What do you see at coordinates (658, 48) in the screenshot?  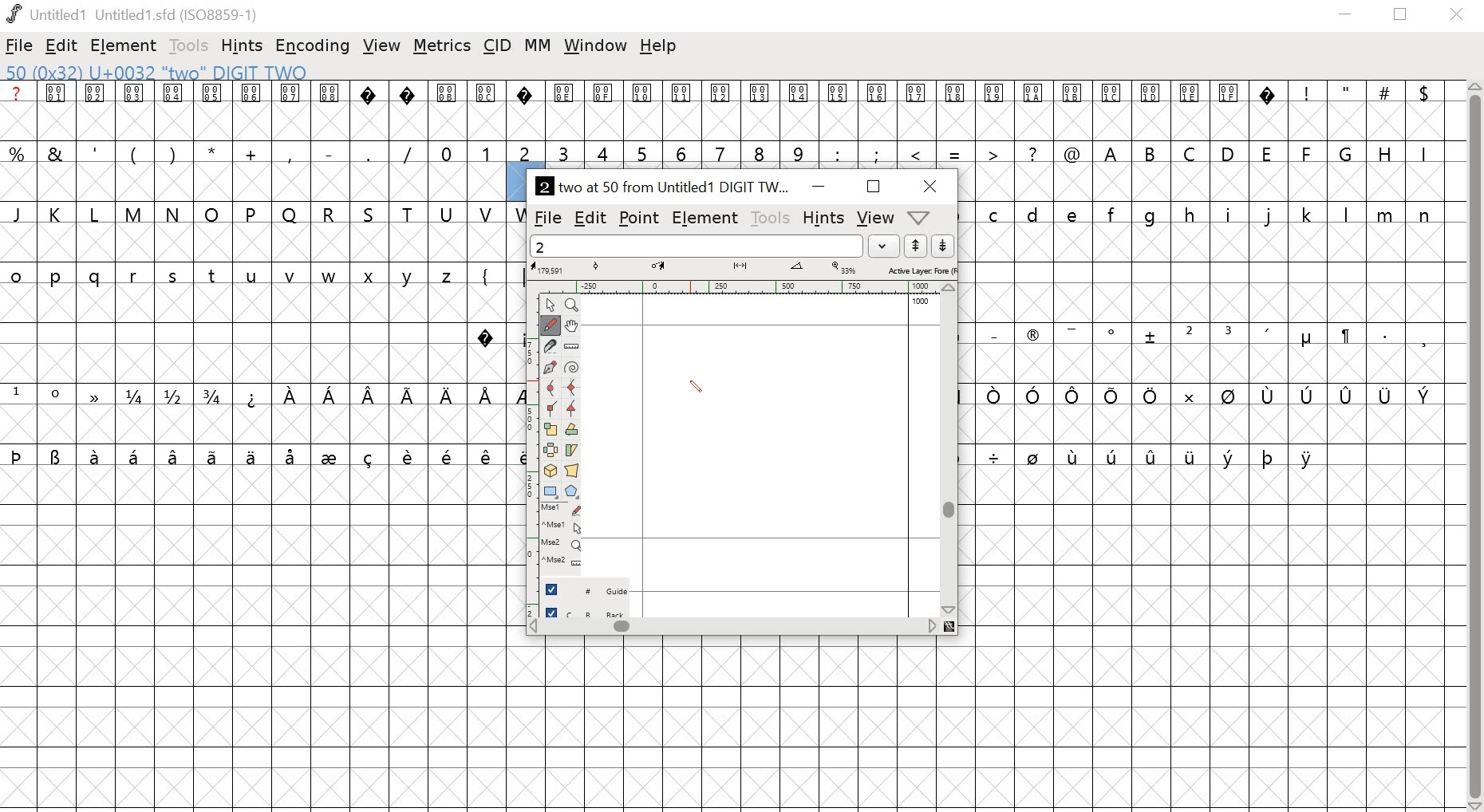 I see `help` at bounding box center [658, 48].